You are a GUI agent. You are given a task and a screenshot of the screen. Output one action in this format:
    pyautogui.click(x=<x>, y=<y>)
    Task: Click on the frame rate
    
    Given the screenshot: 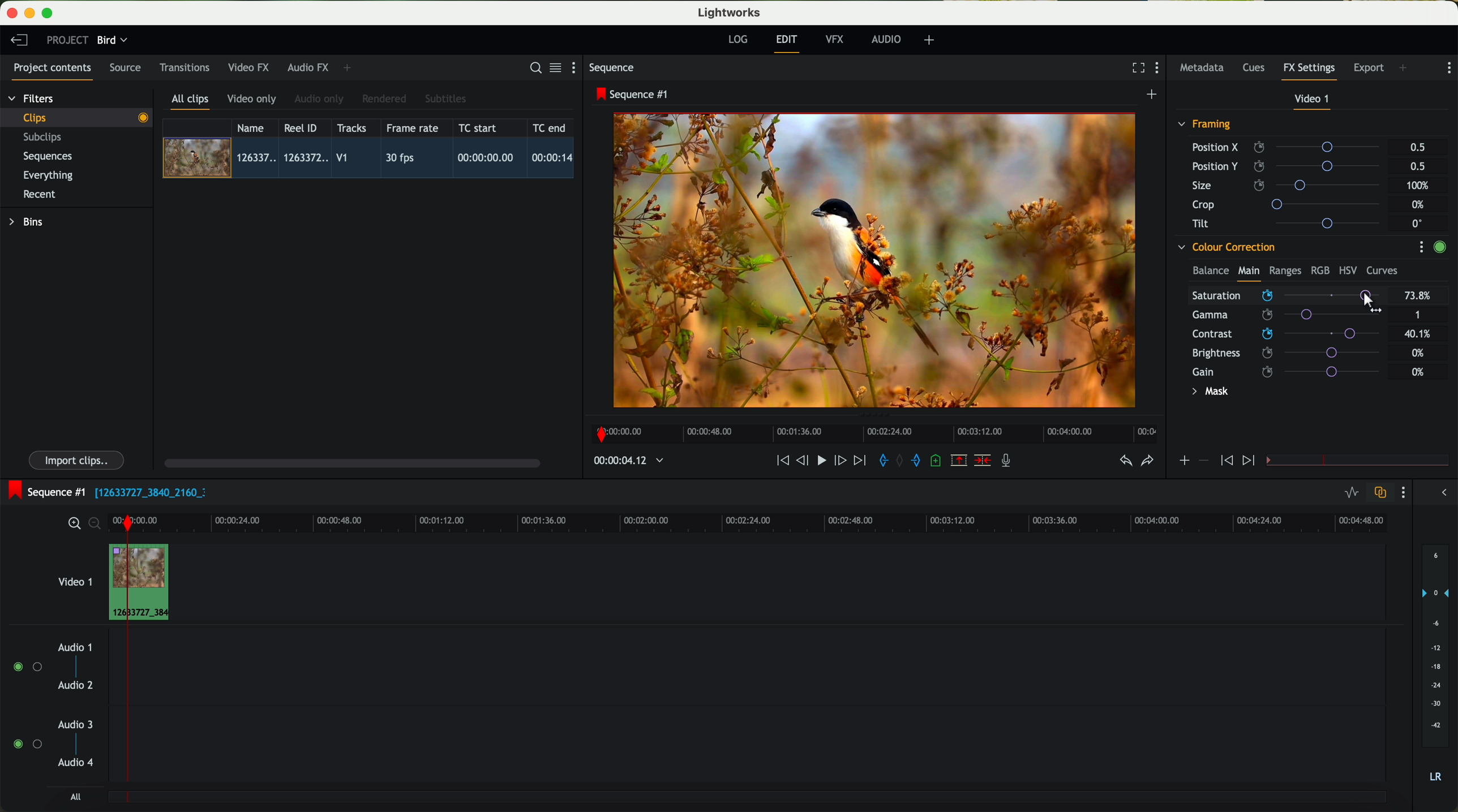 What is the action you would take?
    pyautogui.click(x=413, y=128)
    